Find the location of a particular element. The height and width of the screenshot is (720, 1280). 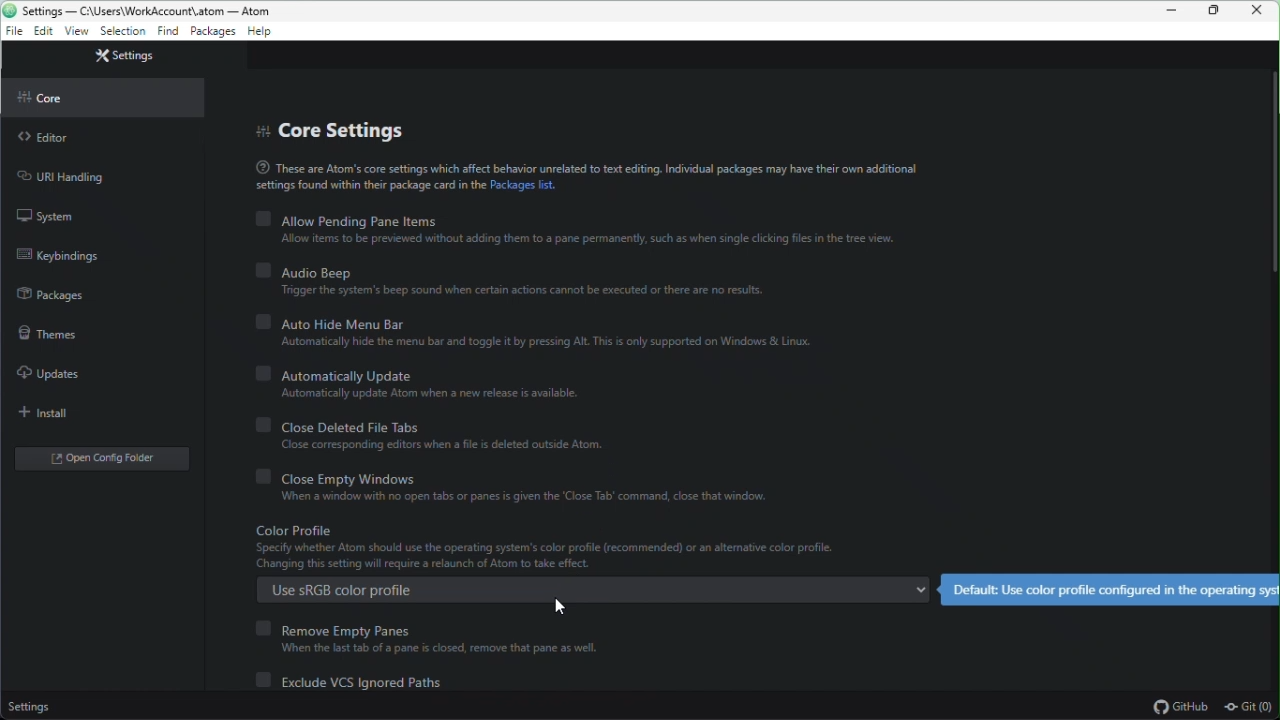

close deleted file tabs is located at coordinates (455, 438).